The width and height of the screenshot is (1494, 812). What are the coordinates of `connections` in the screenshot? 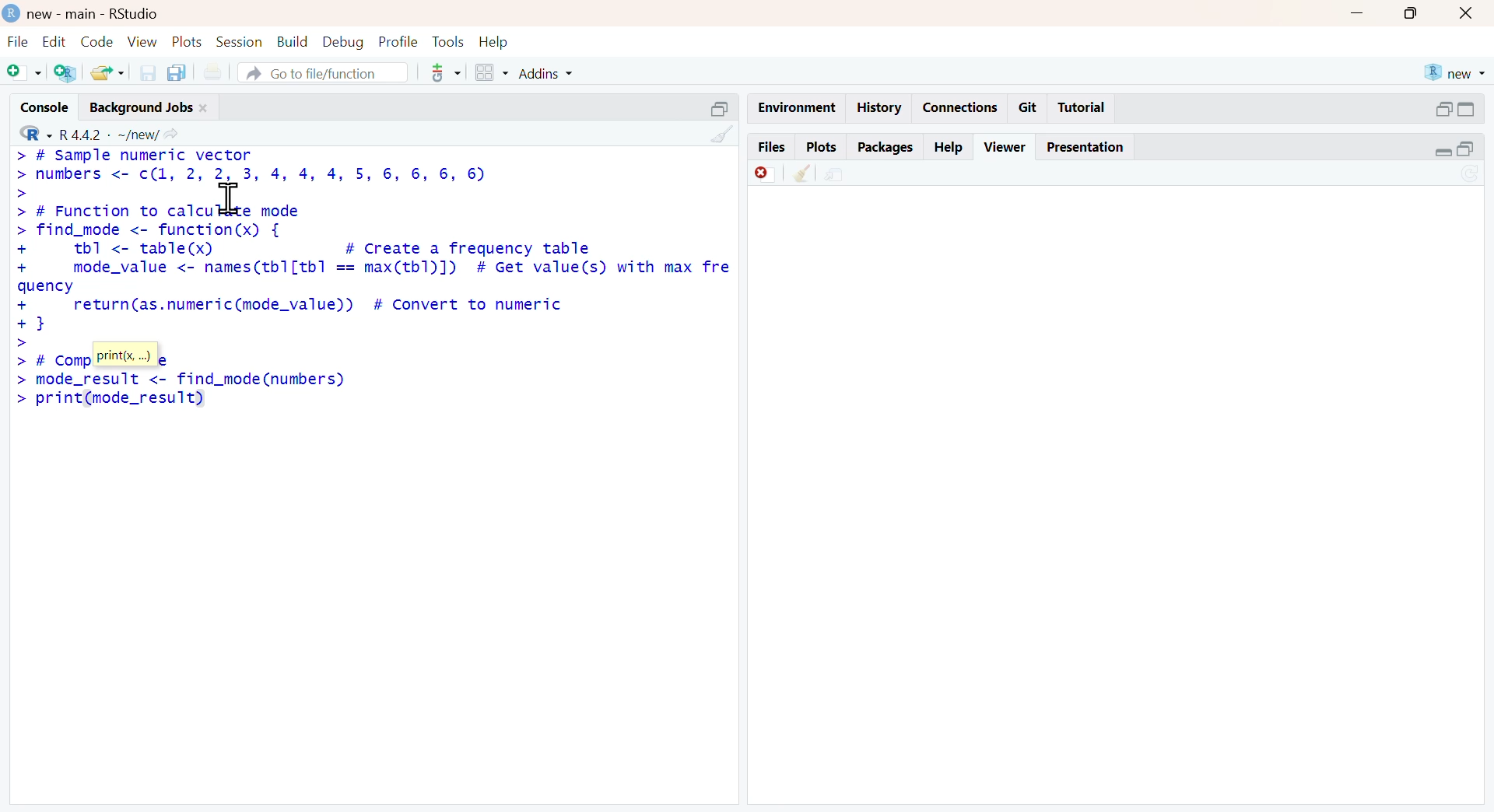 It's located at (962, 108).